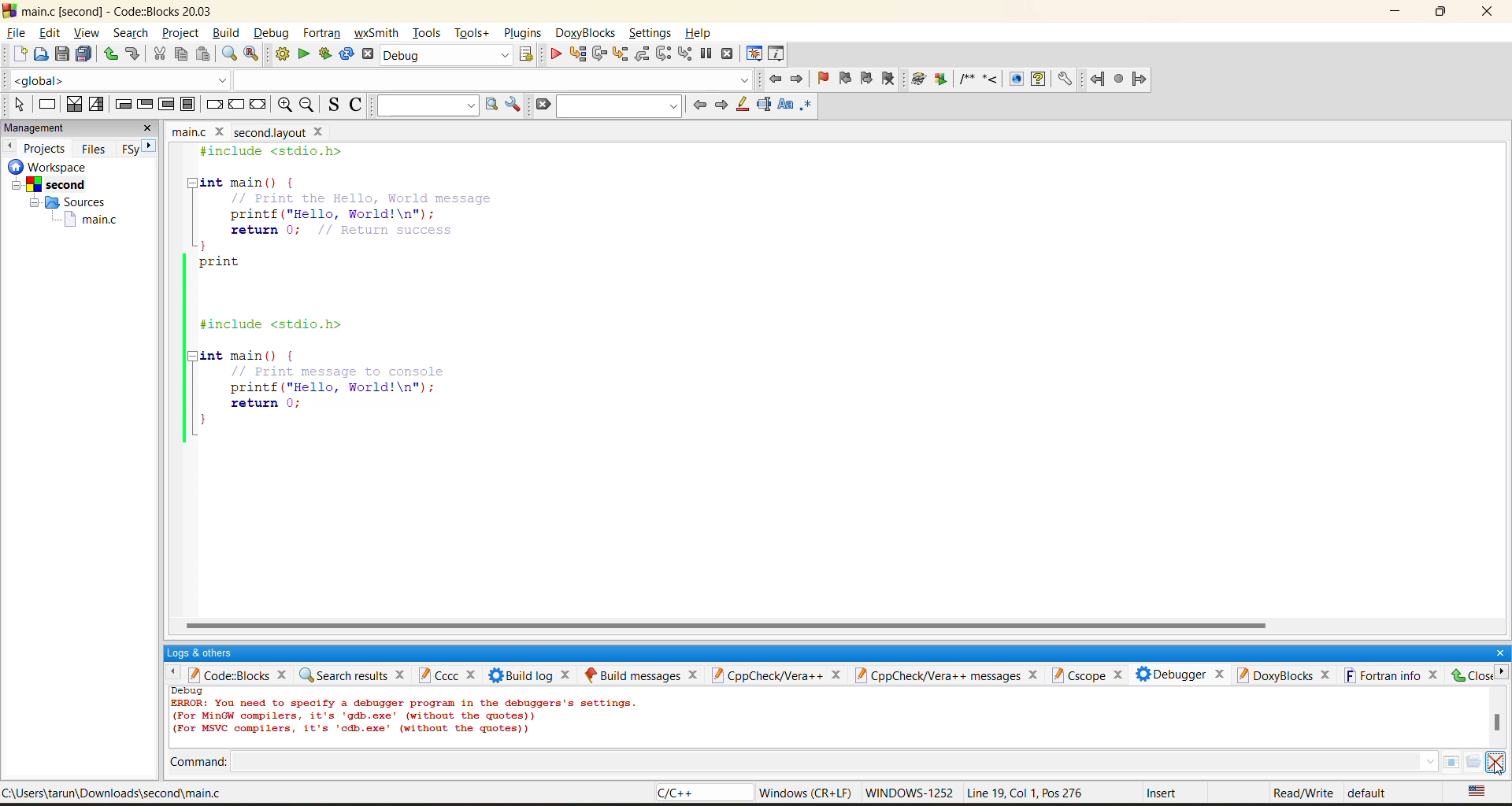 Image resolution: width=1512 pixels, height=806 pixels. I want to click on projects, so click(47, 147).